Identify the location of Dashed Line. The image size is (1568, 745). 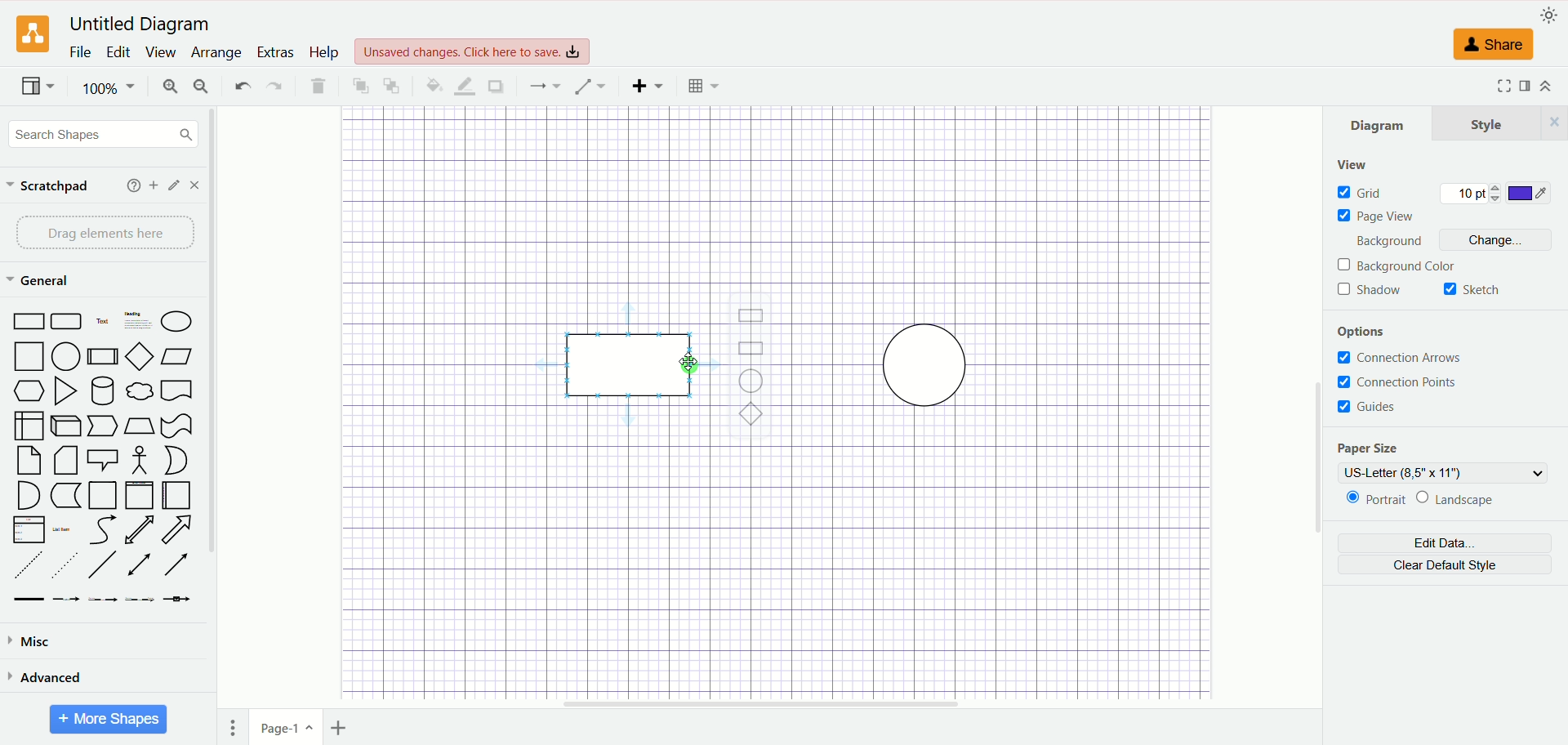
(31, 564).